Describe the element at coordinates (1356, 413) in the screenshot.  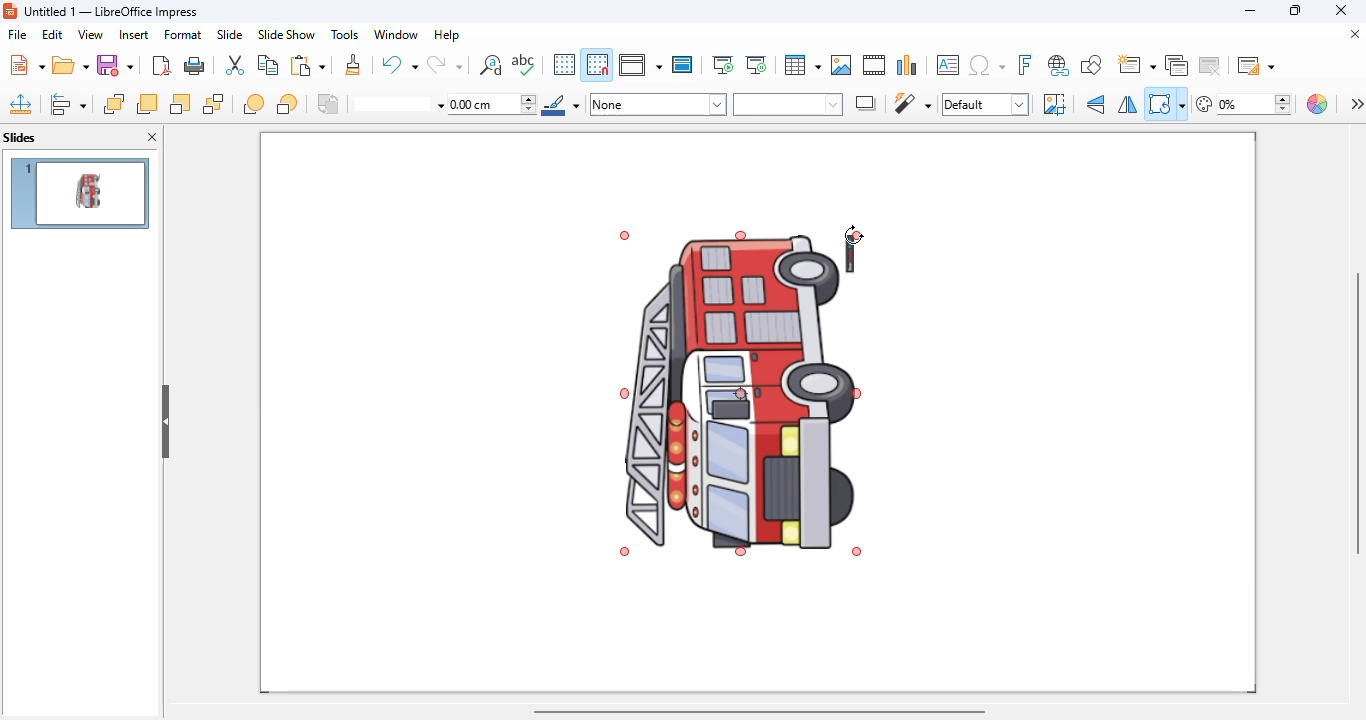
I see `vertical scroll bar` at that location.